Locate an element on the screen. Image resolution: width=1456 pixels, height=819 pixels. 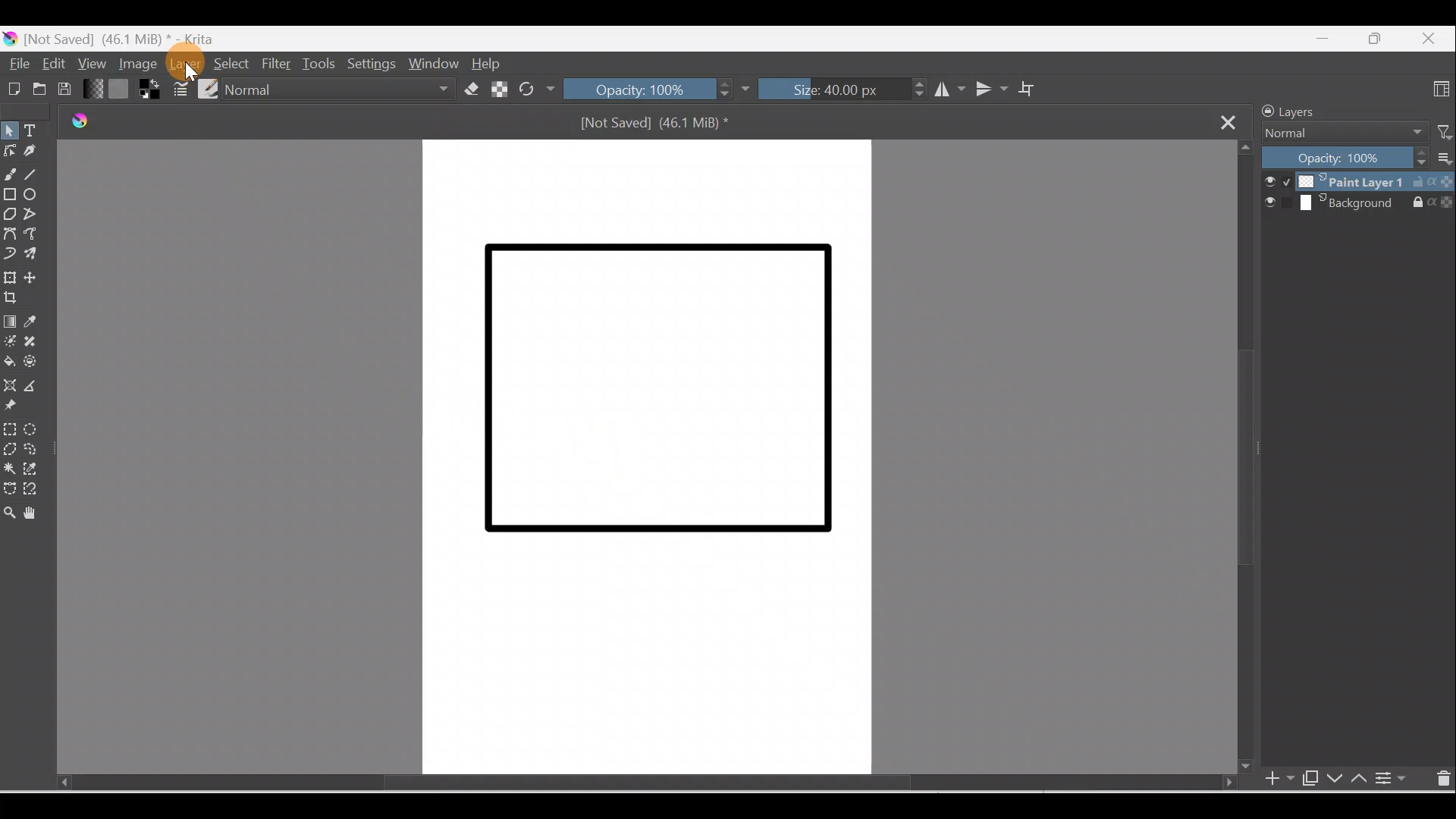
Edit brush settings is located at coordinates (178, 89).